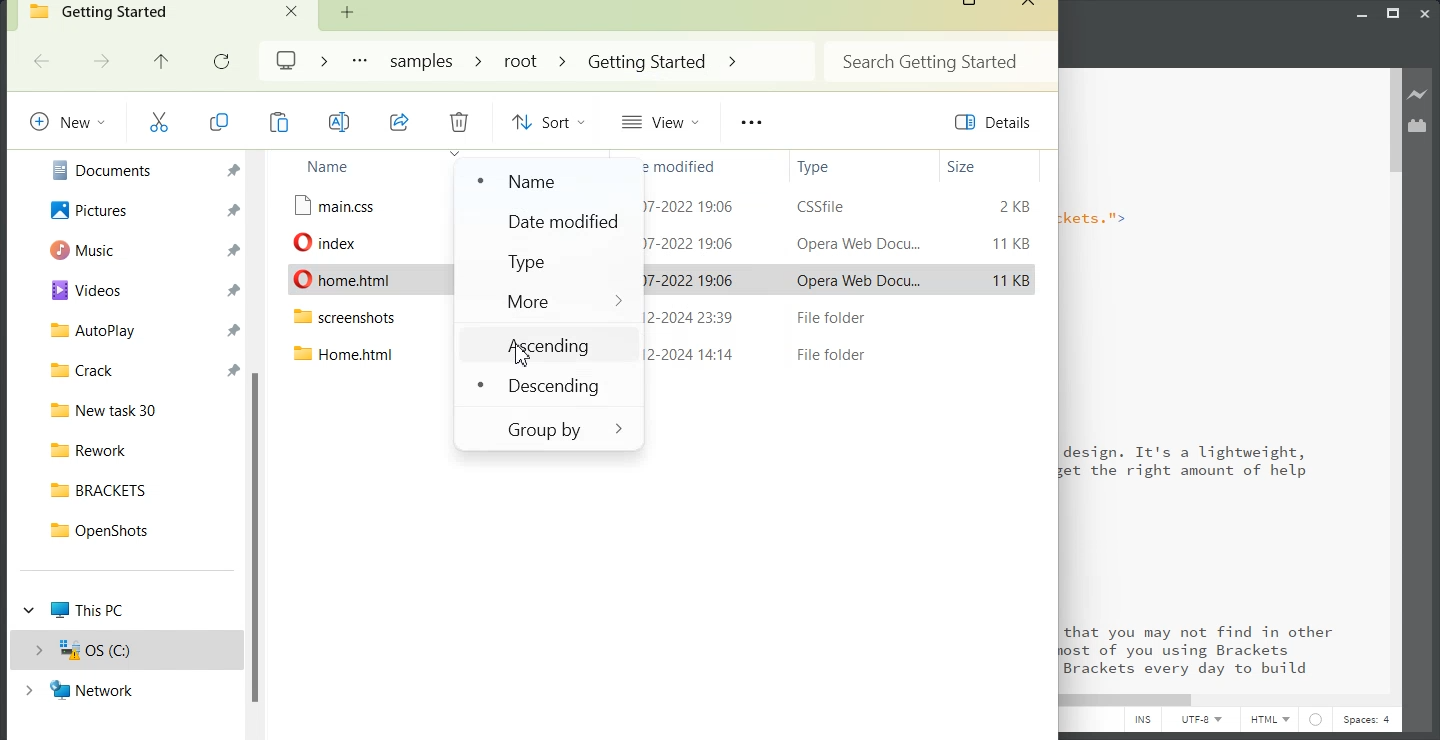  Describe the element at coordinates (1202, 722) in the screenshot. I see `UTF-8` at that location.